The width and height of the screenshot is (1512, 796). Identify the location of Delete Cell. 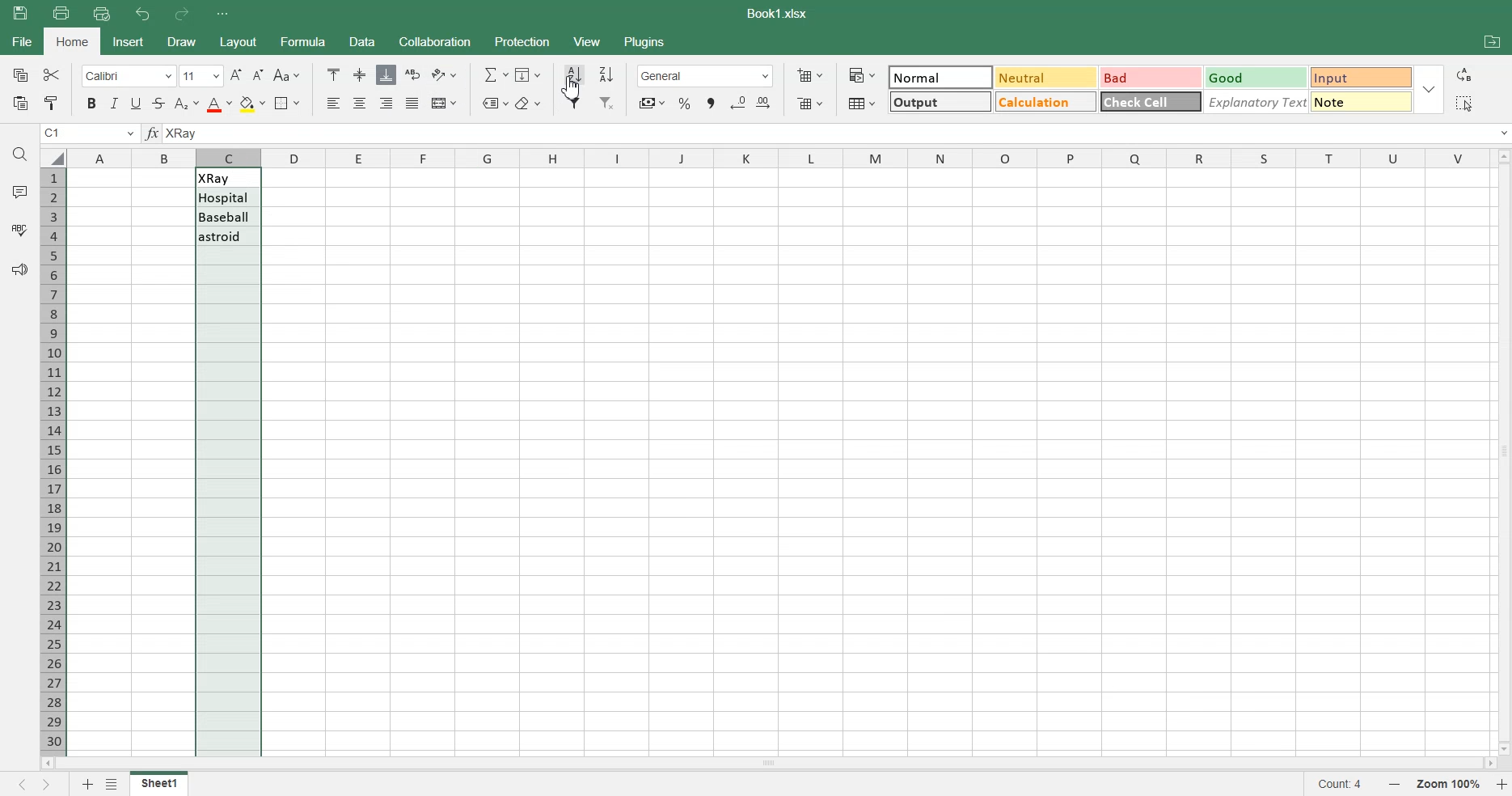
(809, 103).